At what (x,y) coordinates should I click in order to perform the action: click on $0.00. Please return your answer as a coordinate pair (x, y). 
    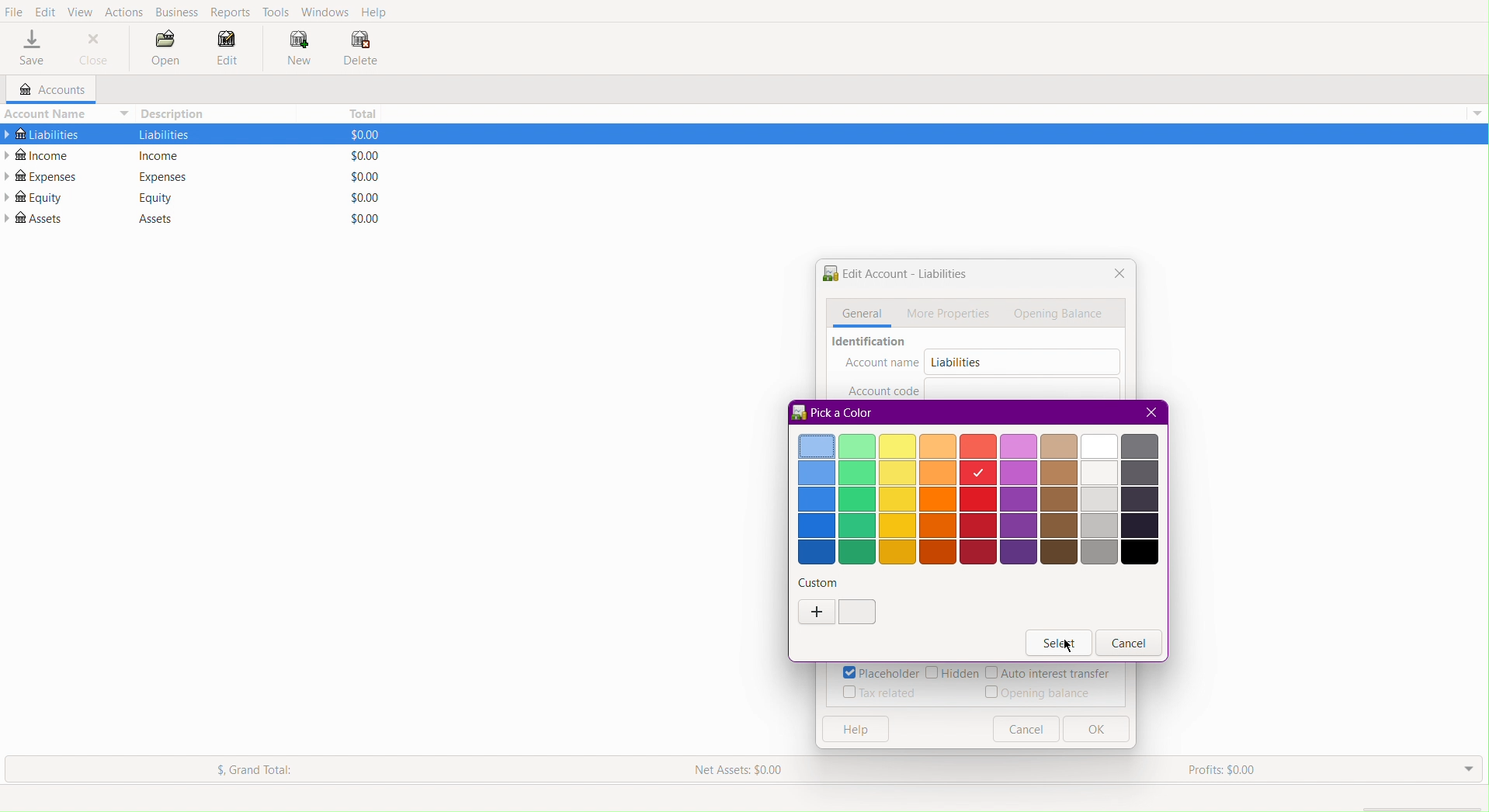
    Looking at the image, I should click on (358, 218).